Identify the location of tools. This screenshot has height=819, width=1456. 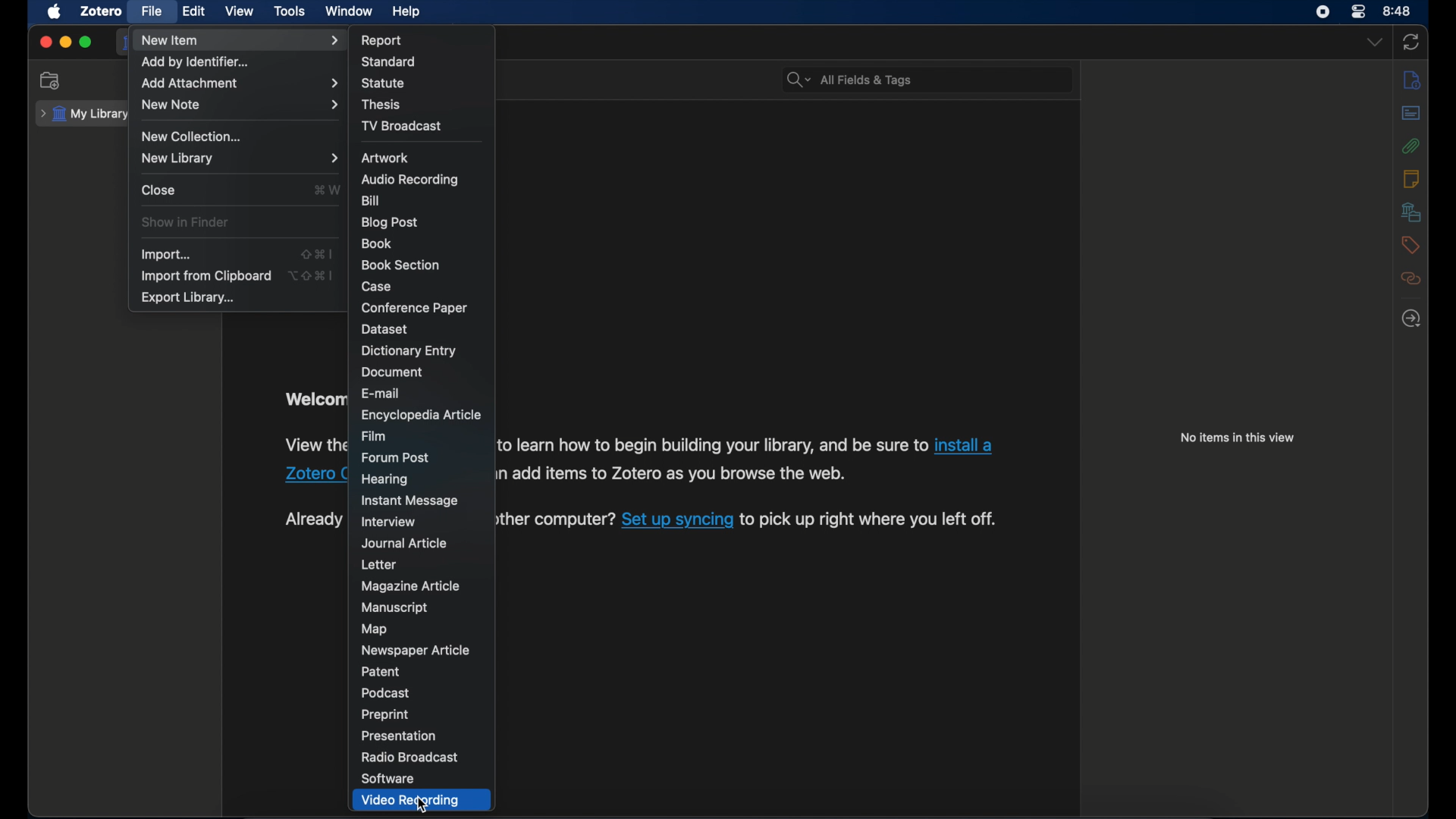
(290, 11).